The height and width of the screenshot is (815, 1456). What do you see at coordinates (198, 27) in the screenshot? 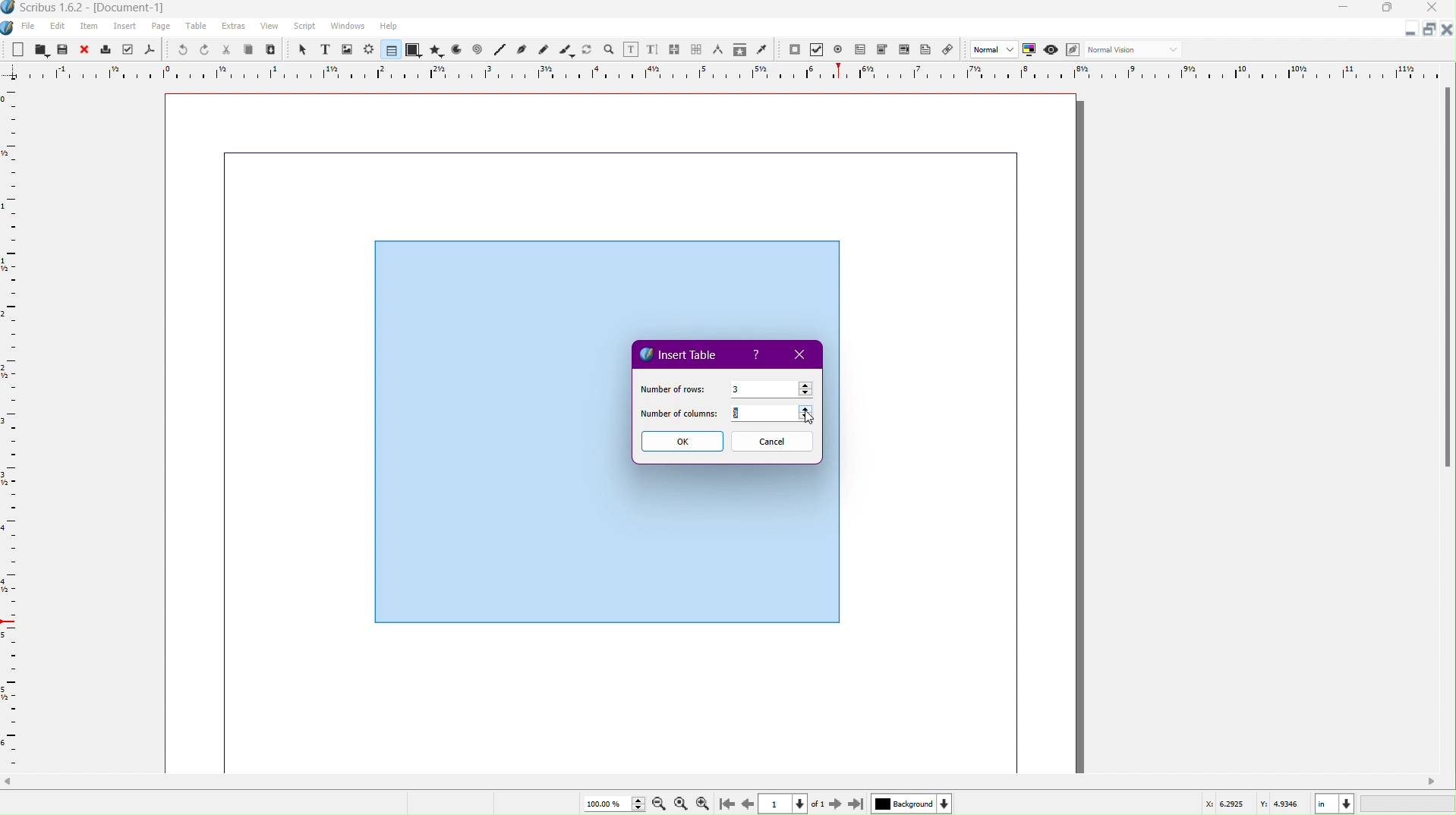
I see `Table` at bounding box center [198, 27].